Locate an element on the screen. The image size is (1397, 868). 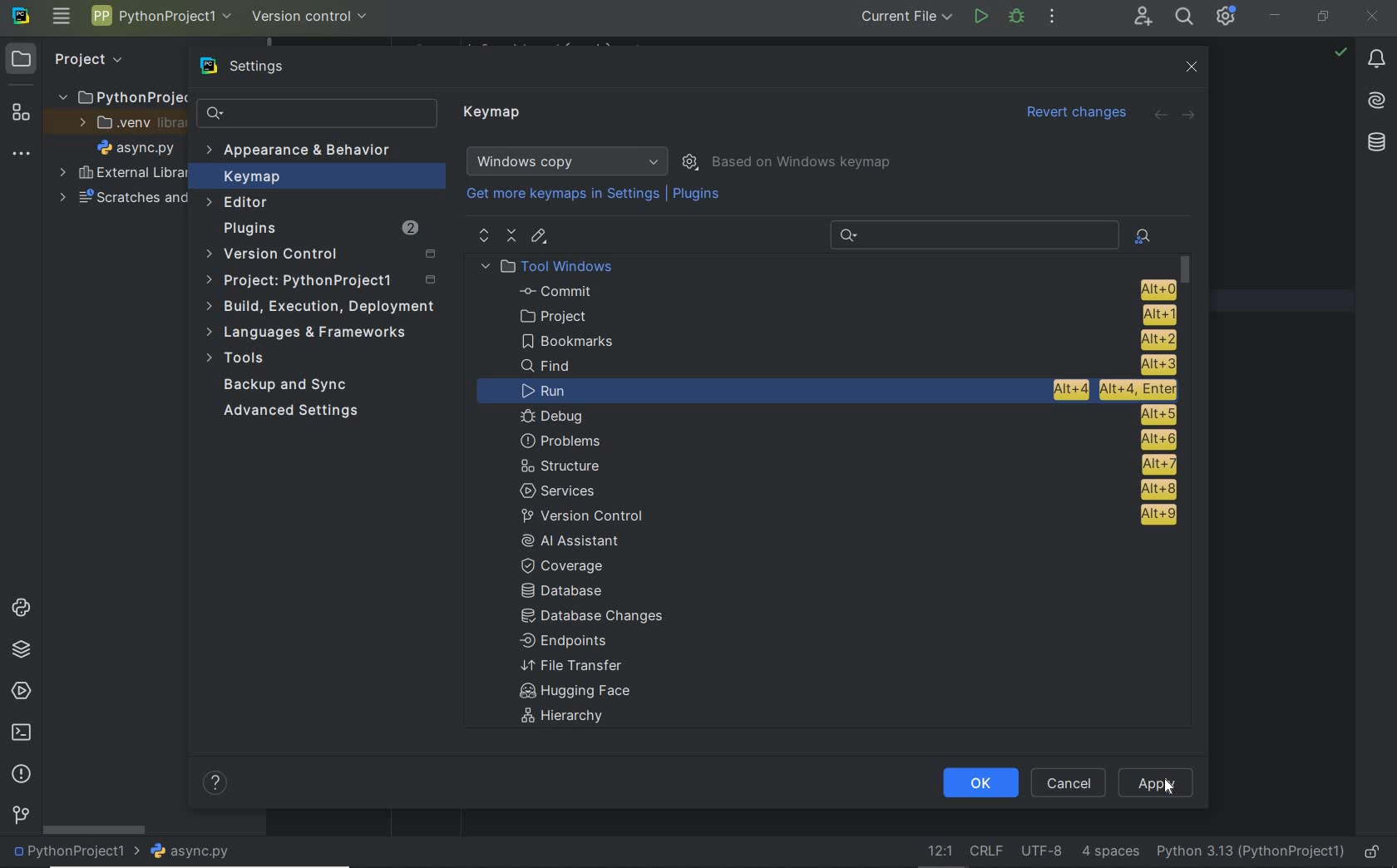
find actions by shortcut is located at coordinates (1143, 236).